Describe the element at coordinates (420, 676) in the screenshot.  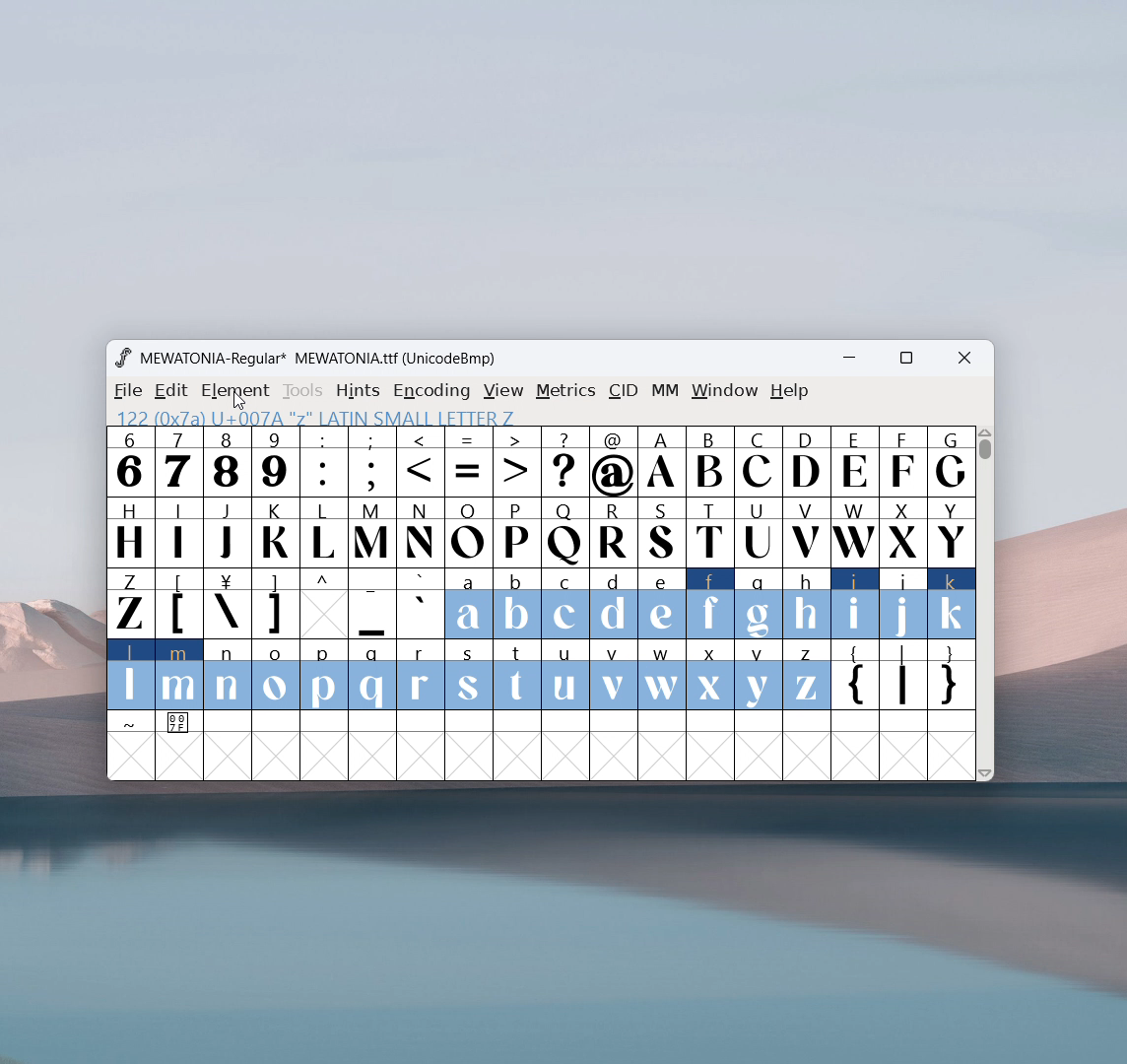
I see `r` at that location.